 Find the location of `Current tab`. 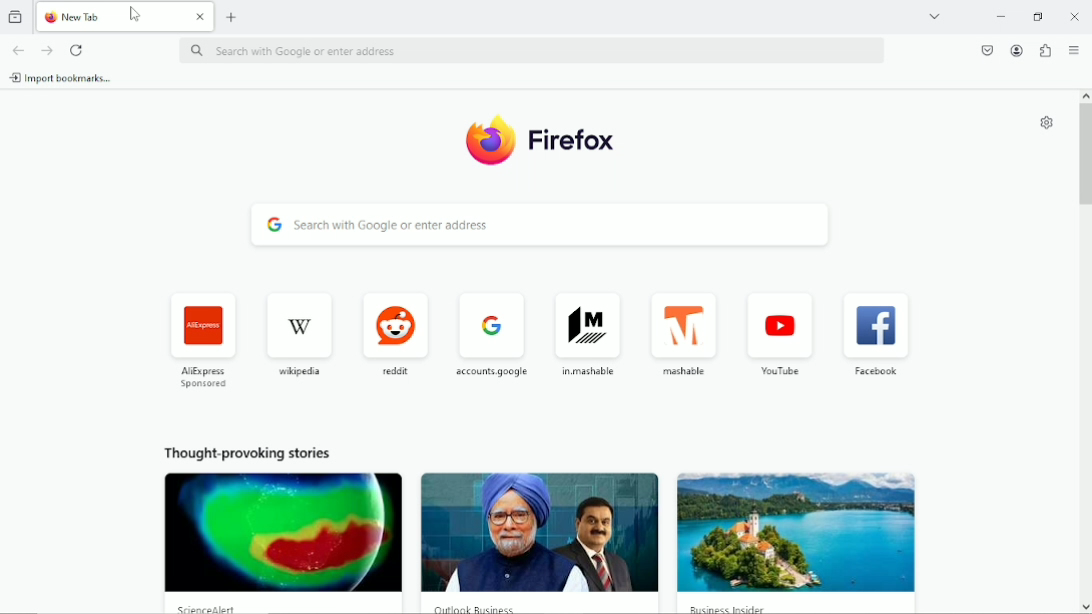

Current tab is located at coordinates (126, 17).